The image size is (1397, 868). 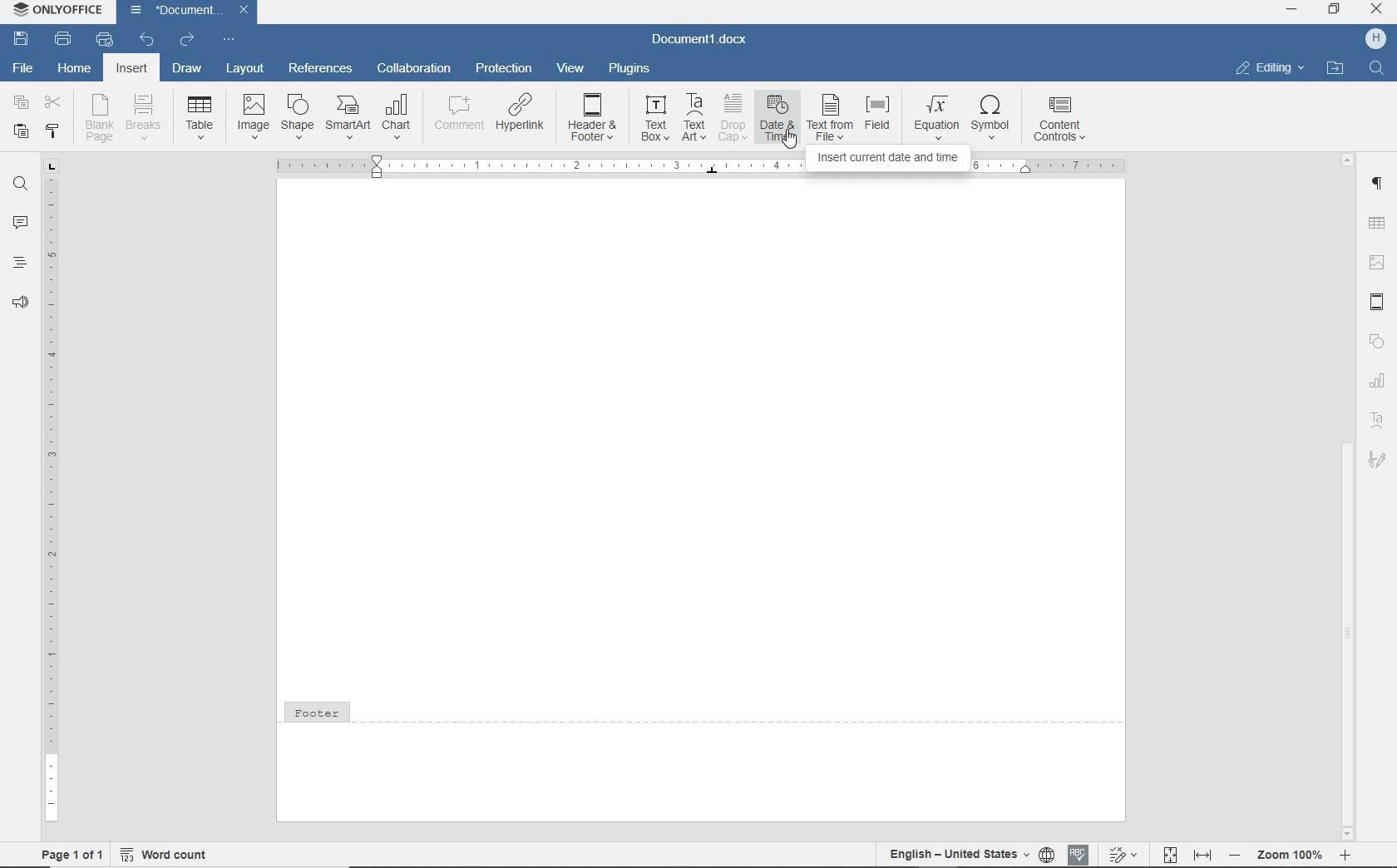 I want to click on text box, so click(x=655, y=118).